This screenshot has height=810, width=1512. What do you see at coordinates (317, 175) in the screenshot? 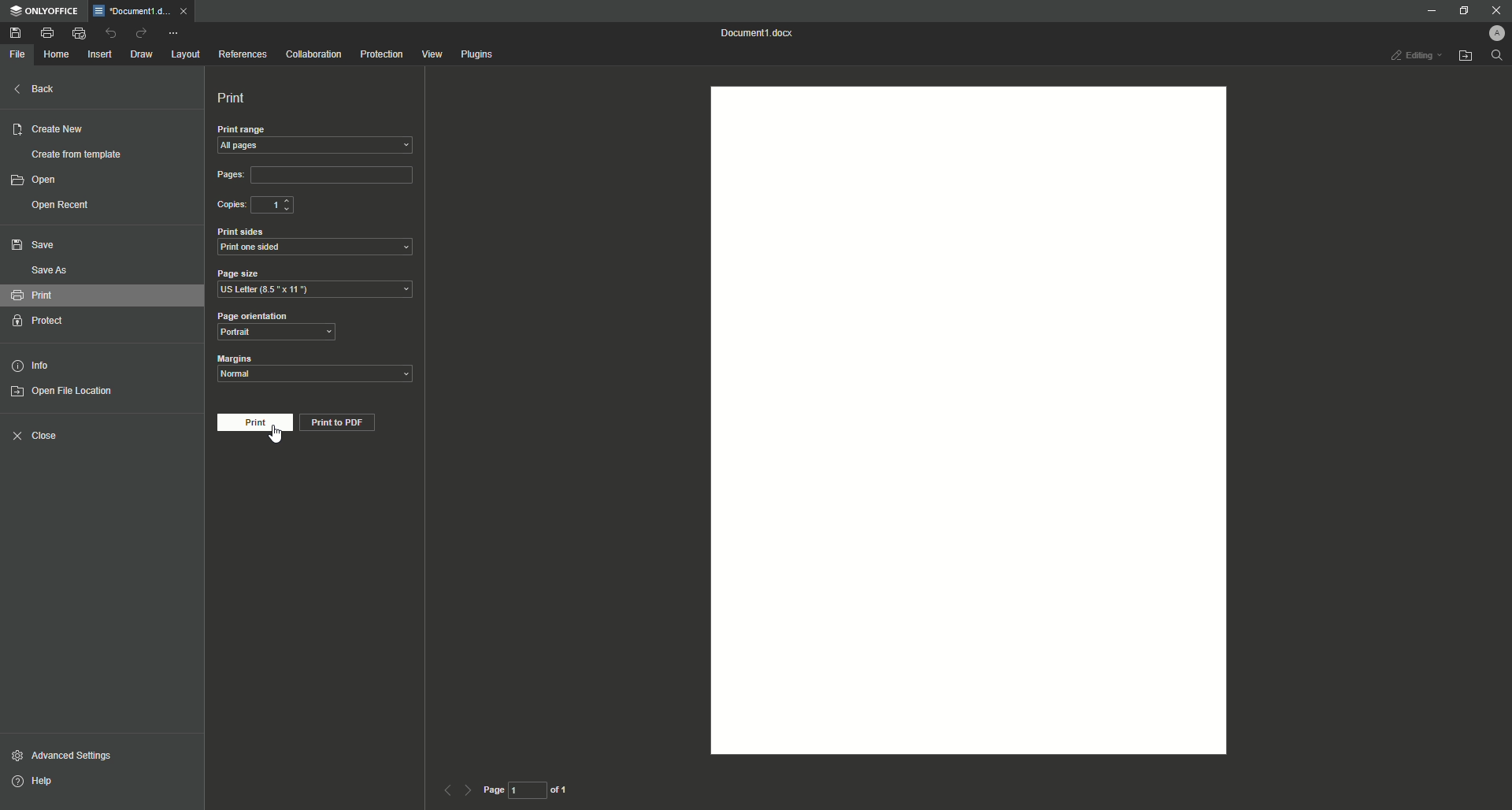
I see `Pages` at bounding box center [317, 175].